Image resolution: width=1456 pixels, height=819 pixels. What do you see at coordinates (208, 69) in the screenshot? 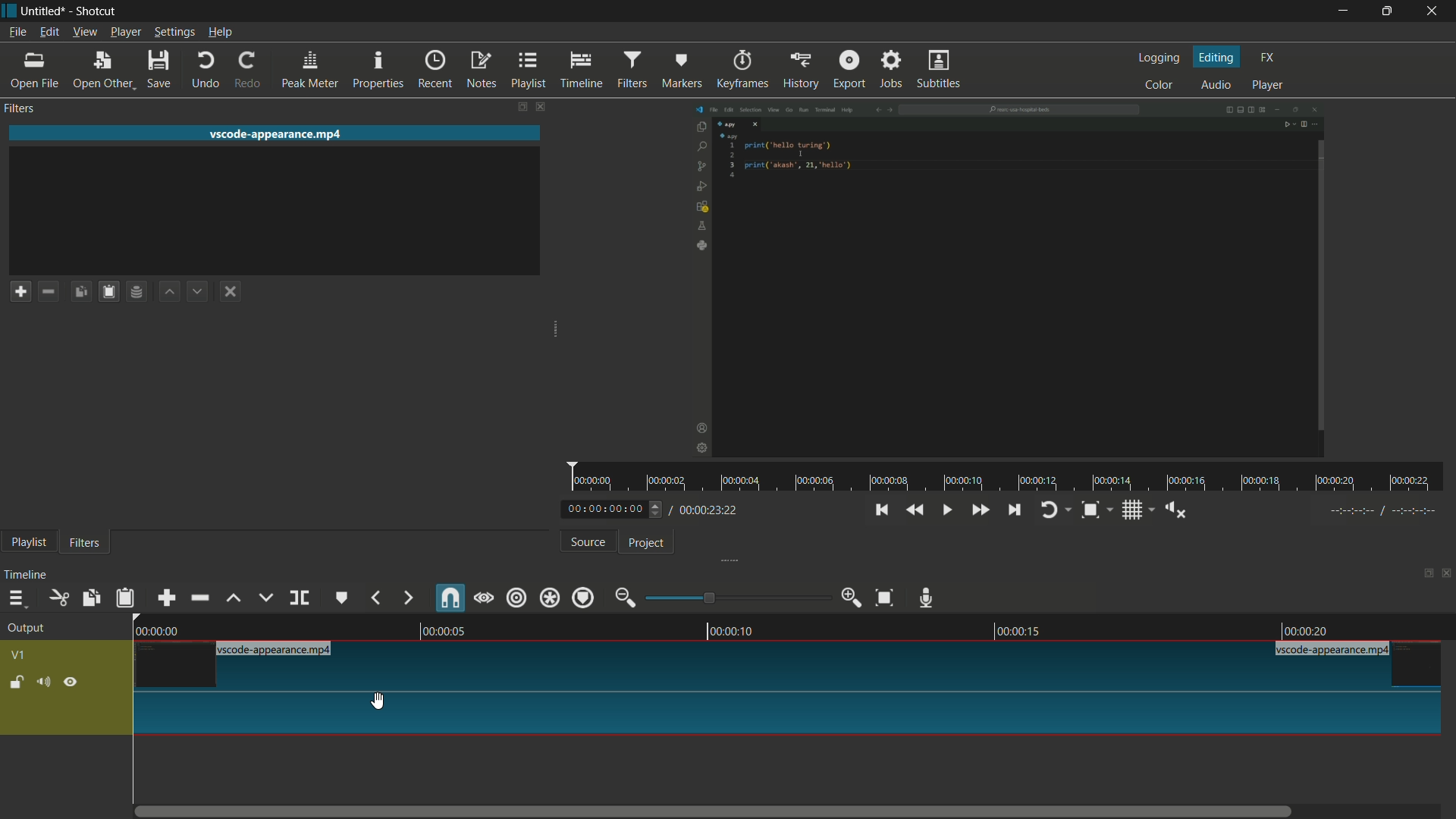
I see `undo` at bounding box center [208, 69].